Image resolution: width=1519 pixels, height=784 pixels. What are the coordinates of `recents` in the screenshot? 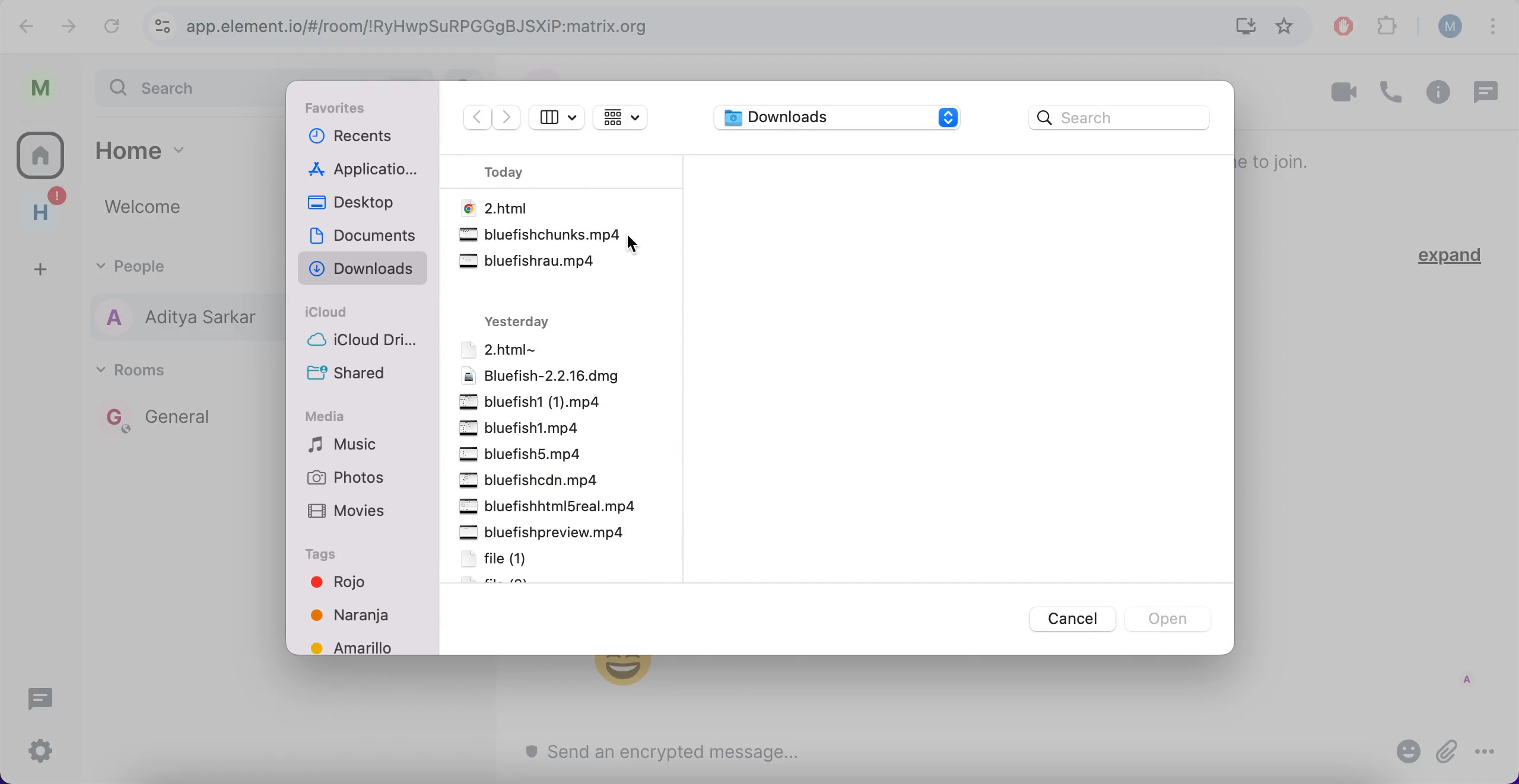 It's located at (366, 138).